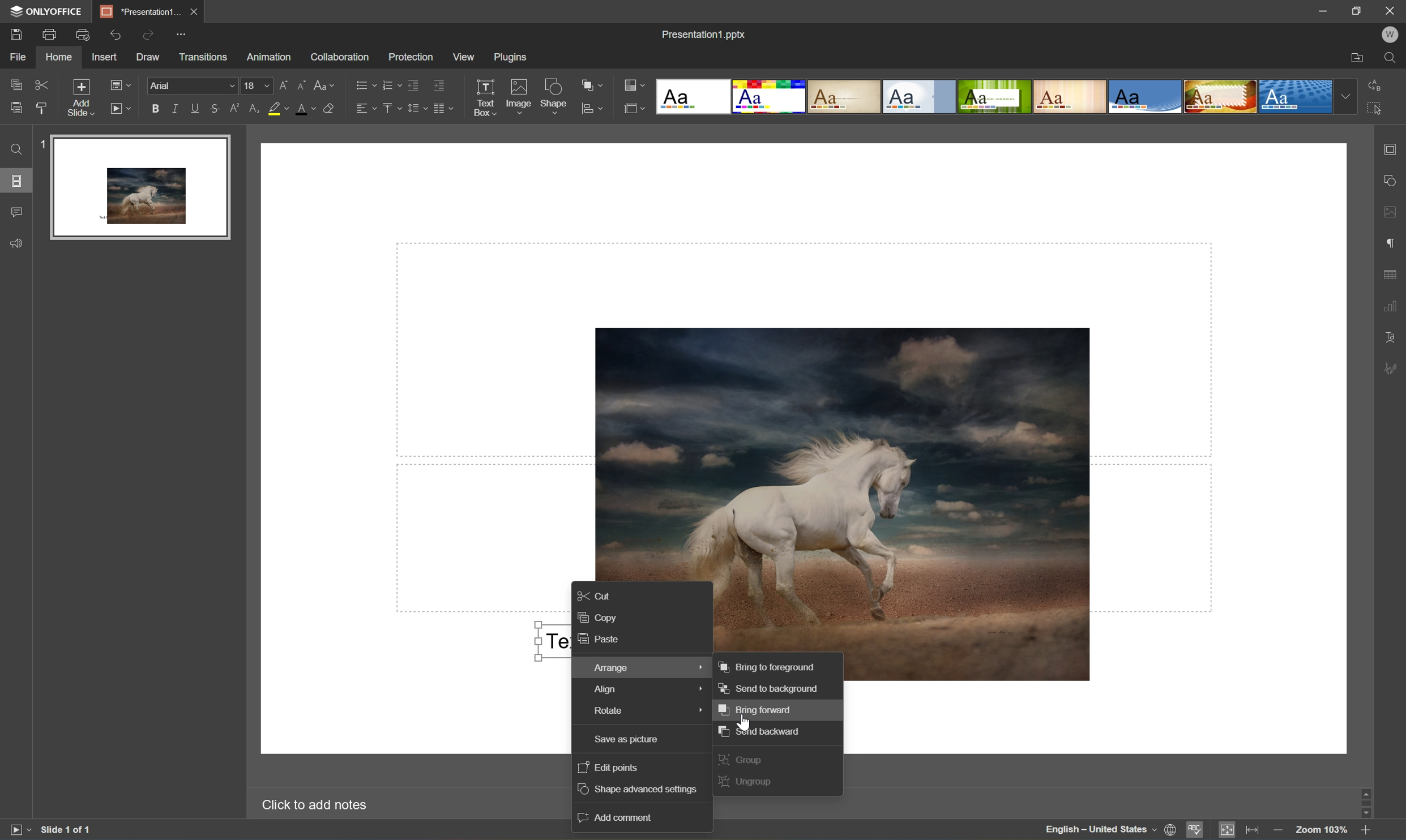  What do you see at coordinates (278, 108) in the screenshot?
I see `Highlight color` at bounding box center [278, 108].